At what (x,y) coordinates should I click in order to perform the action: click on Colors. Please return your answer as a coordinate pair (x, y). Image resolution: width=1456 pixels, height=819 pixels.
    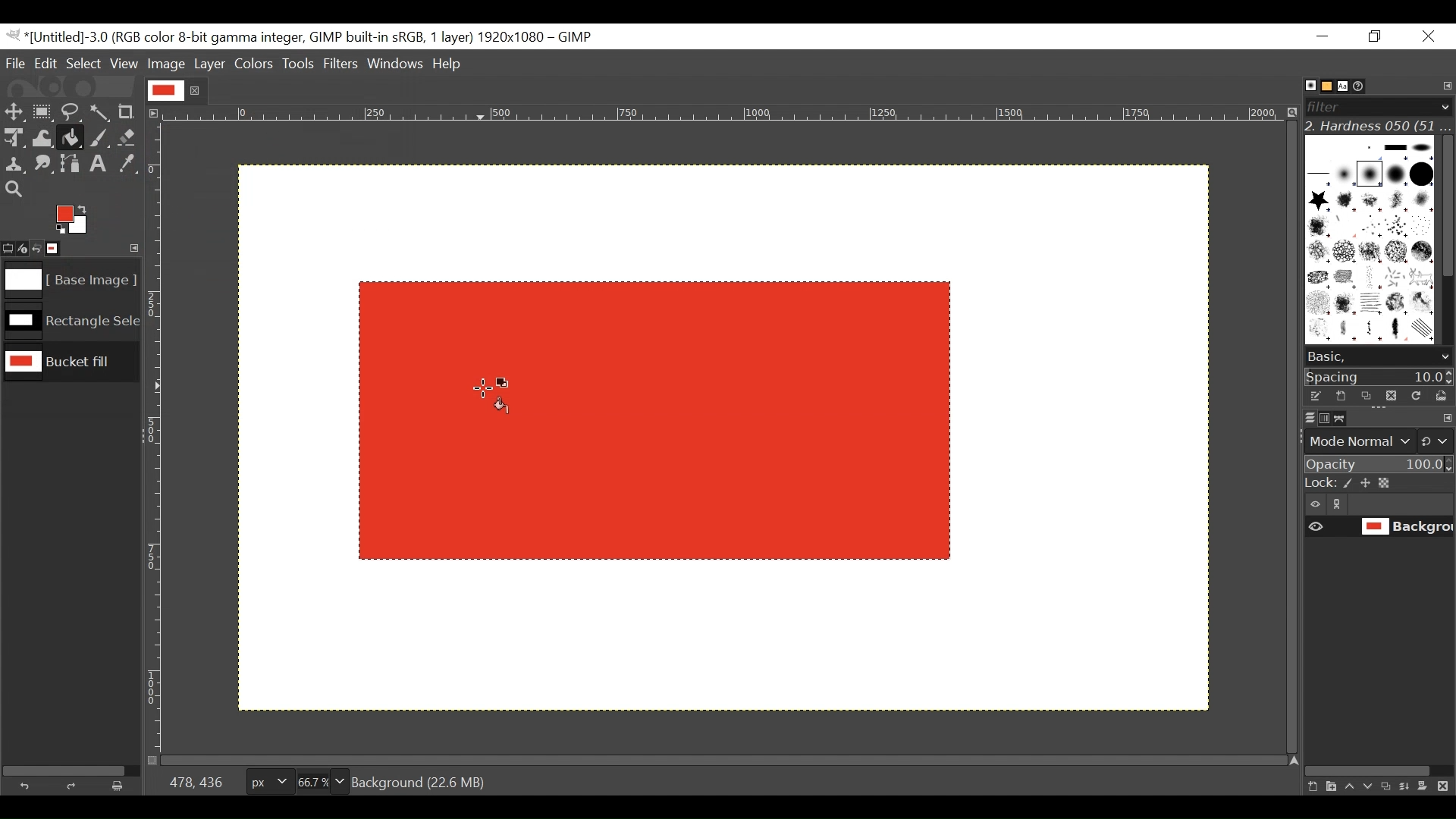
    Looking at the image, I should click on (254, 64).